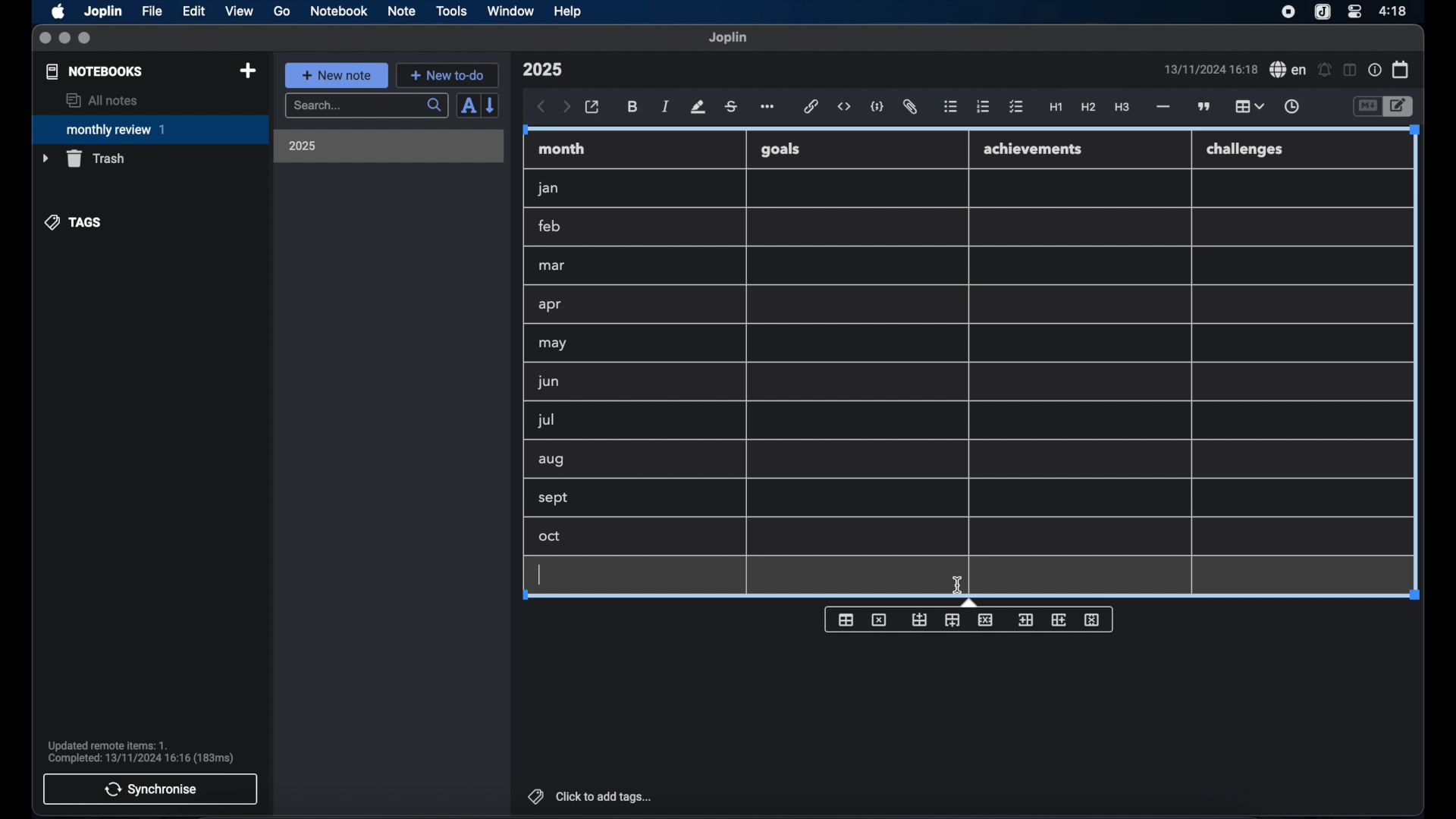 The image size is (1456, 819). I want to click on screen recorder icon, so click(1288, 12).